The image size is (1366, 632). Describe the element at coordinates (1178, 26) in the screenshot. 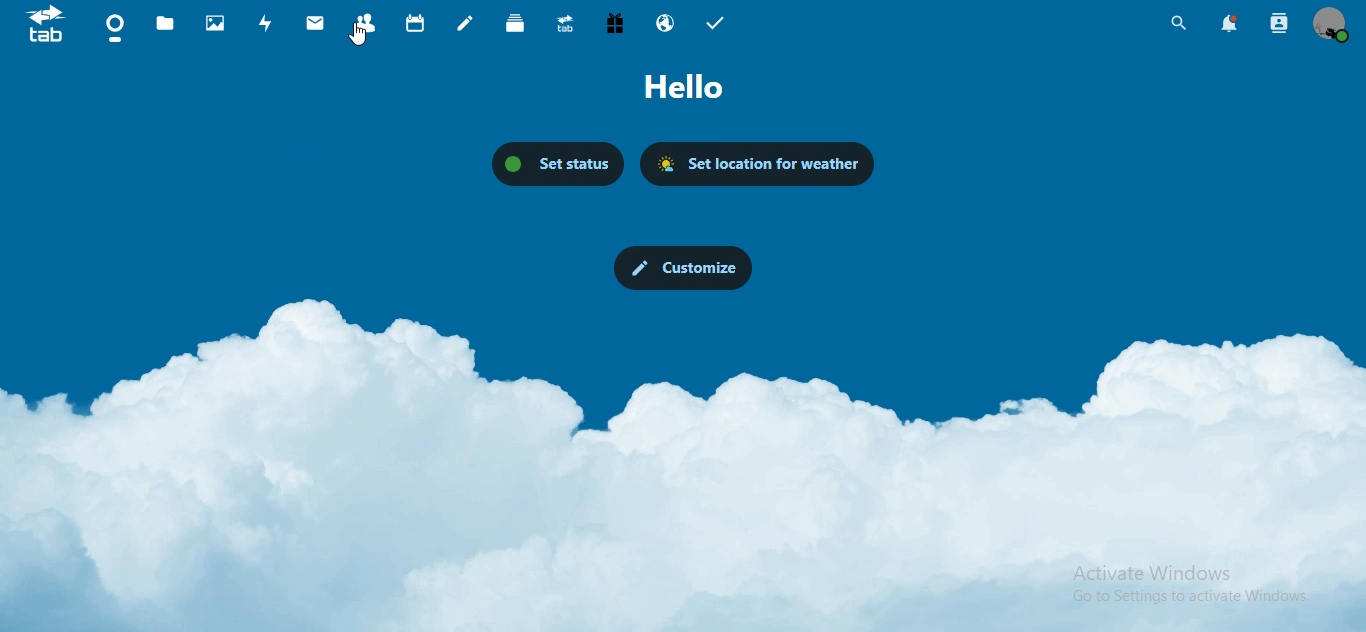

I see `unified search` at that location.